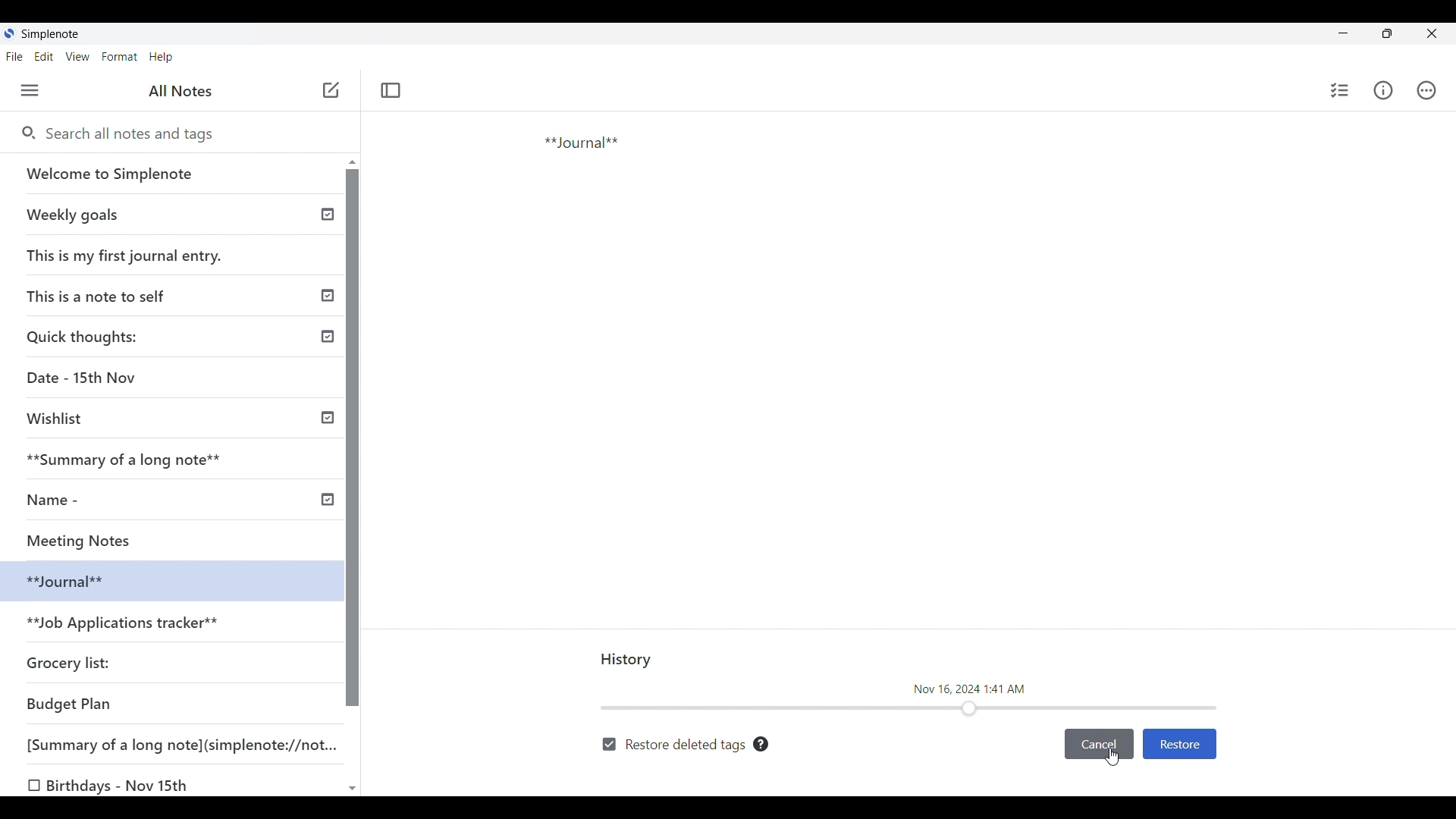 The image size is (1456, 819). I want to click on Info, so click(1382, 89).